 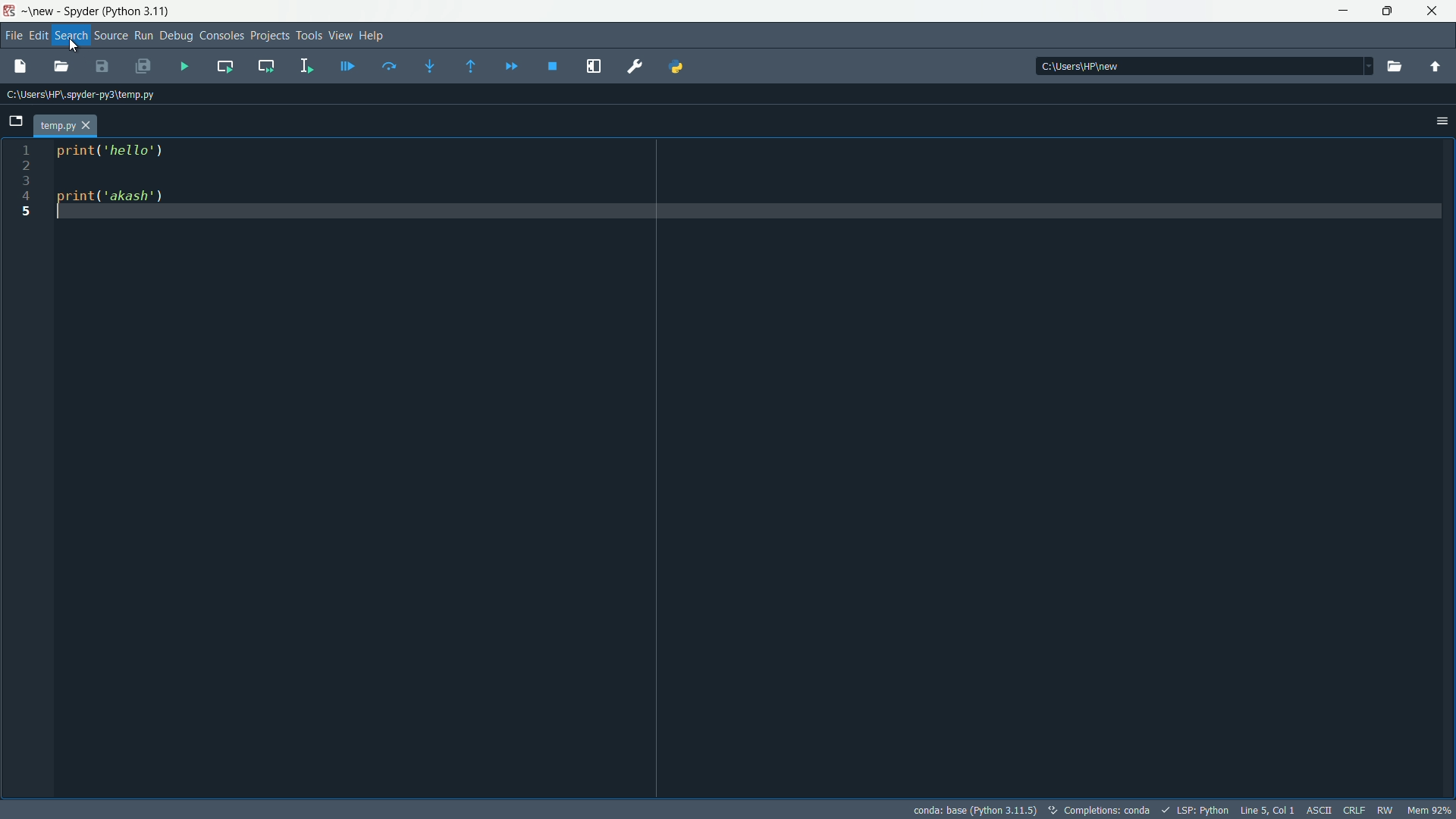 What do you see at coordinates (38, 34) in the screenshot?
I see `edit menu` at bounding box center [38, 34].